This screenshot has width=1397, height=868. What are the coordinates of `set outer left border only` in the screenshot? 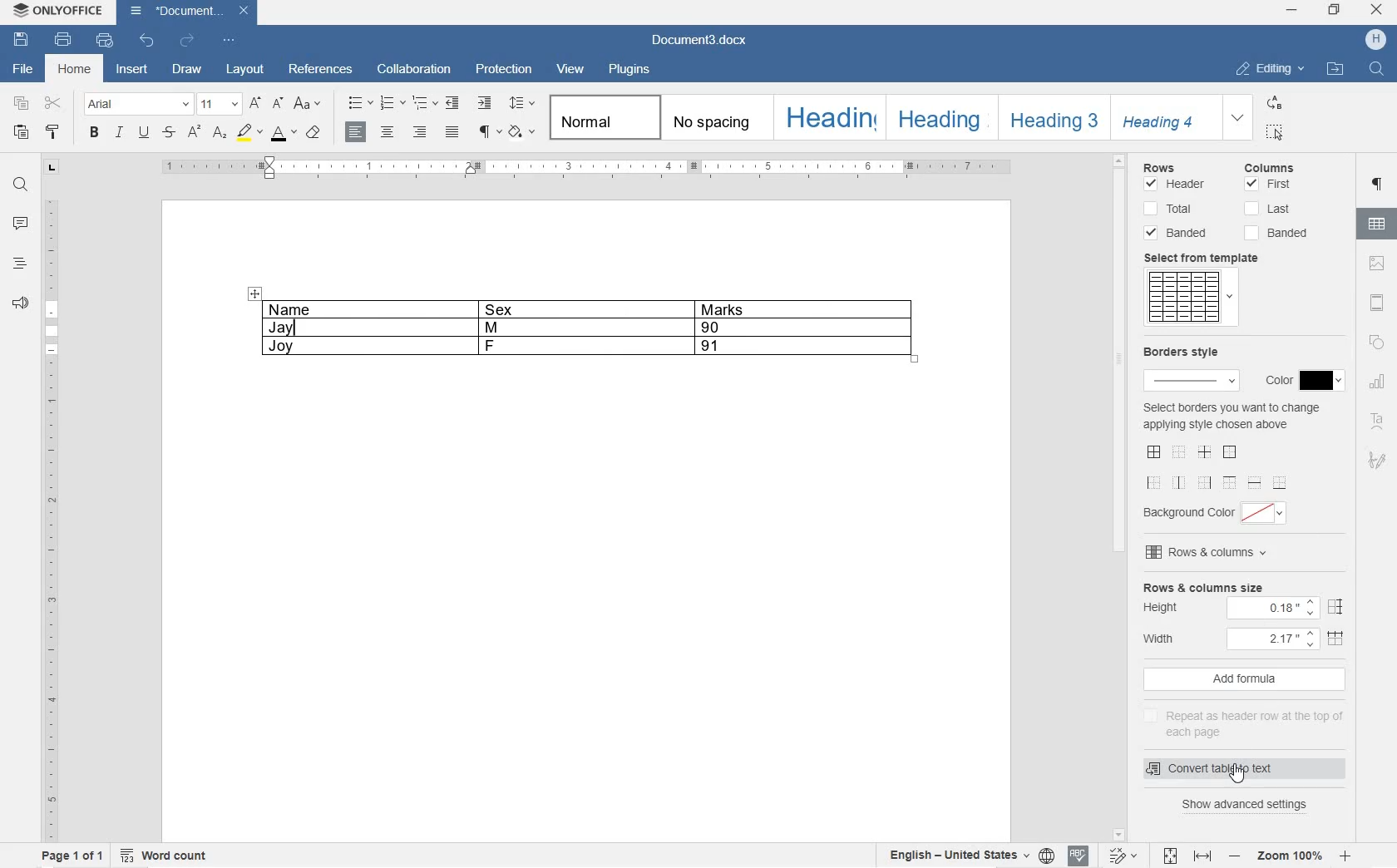 It's located at (1155, 481).